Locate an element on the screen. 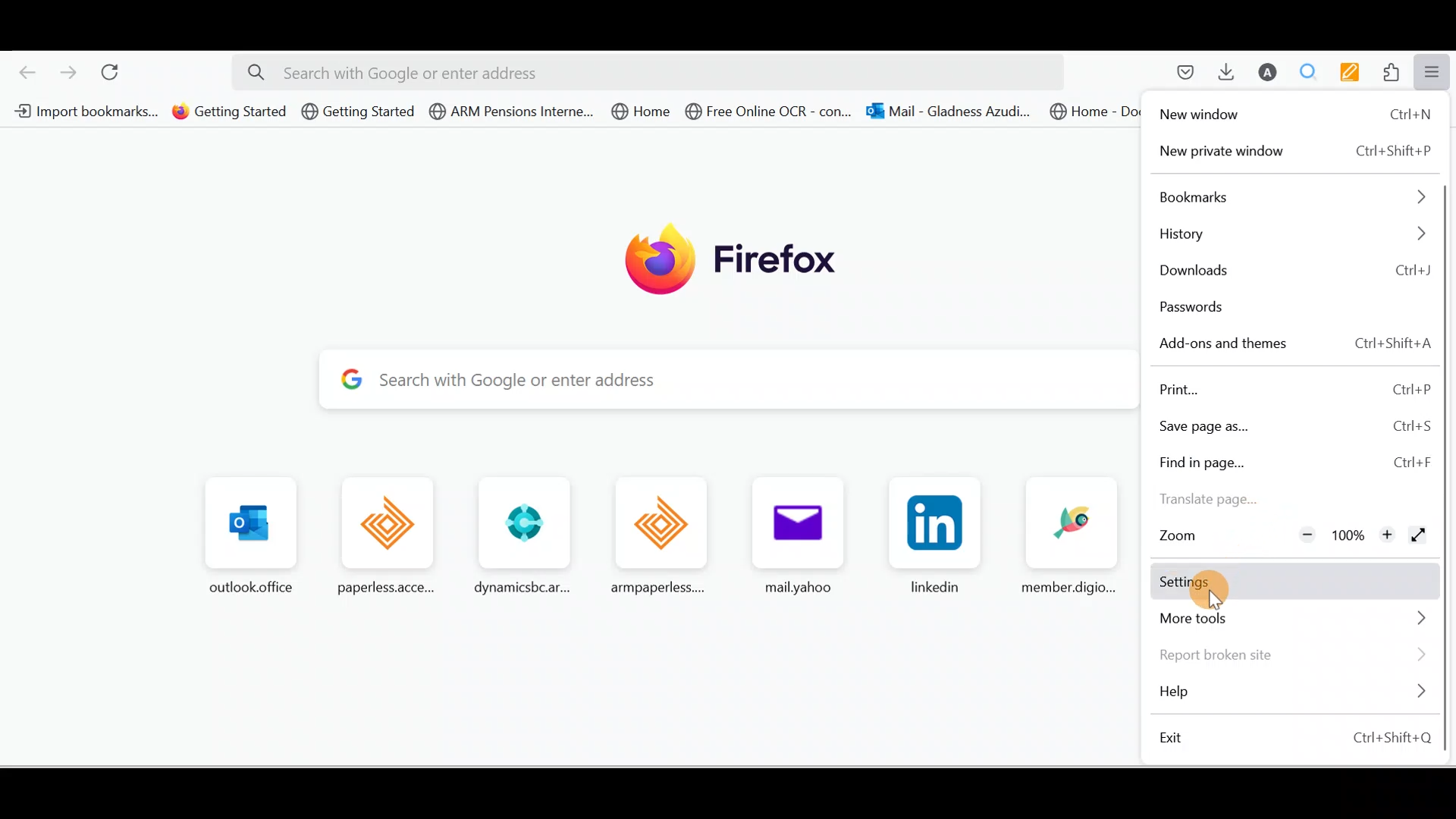  Multi keywords highlighter is located at coordinates (1354, 74).